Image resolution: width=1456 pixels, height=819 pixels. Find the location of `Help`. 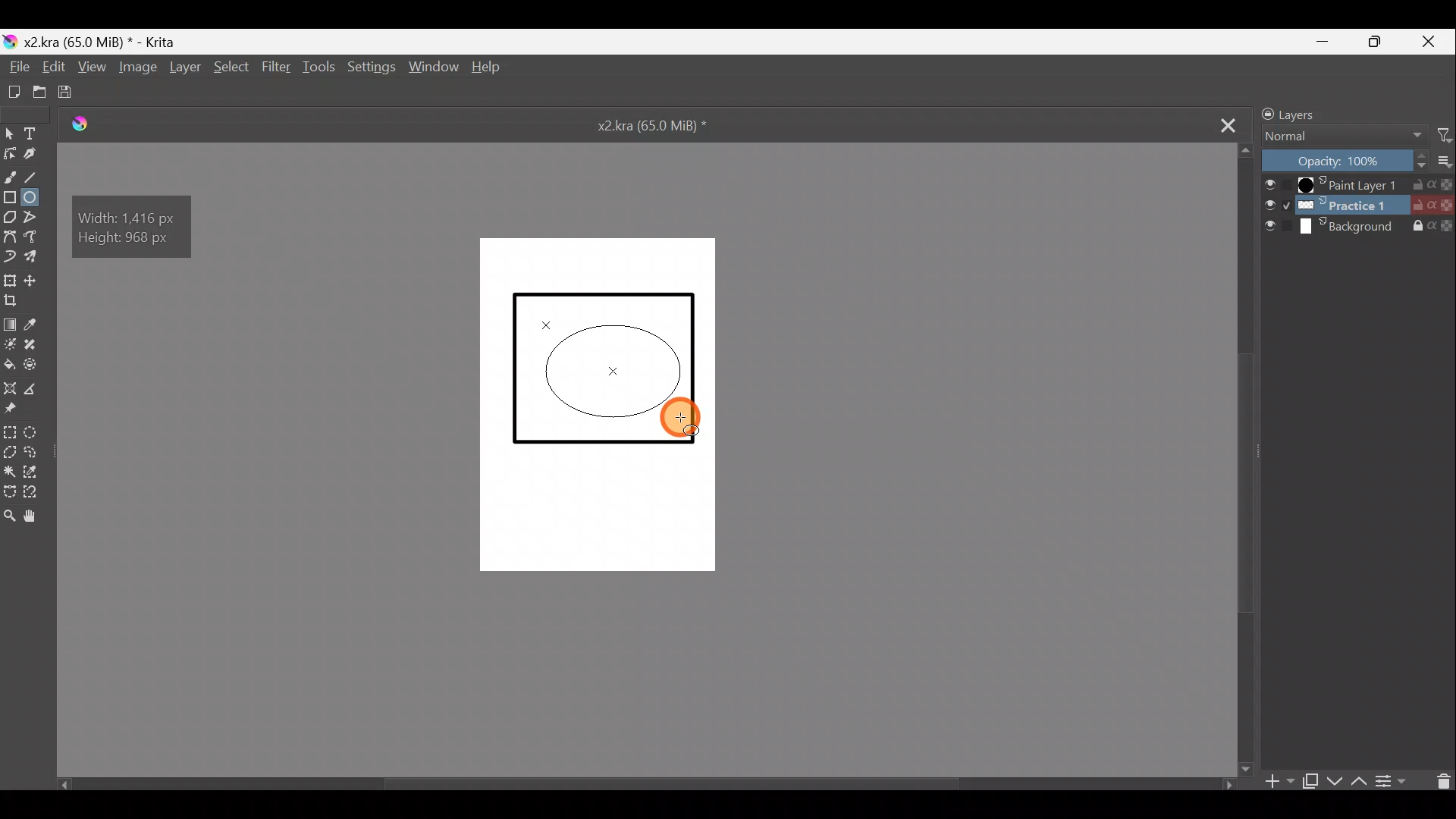

Help is located at coordinates (490, 69).